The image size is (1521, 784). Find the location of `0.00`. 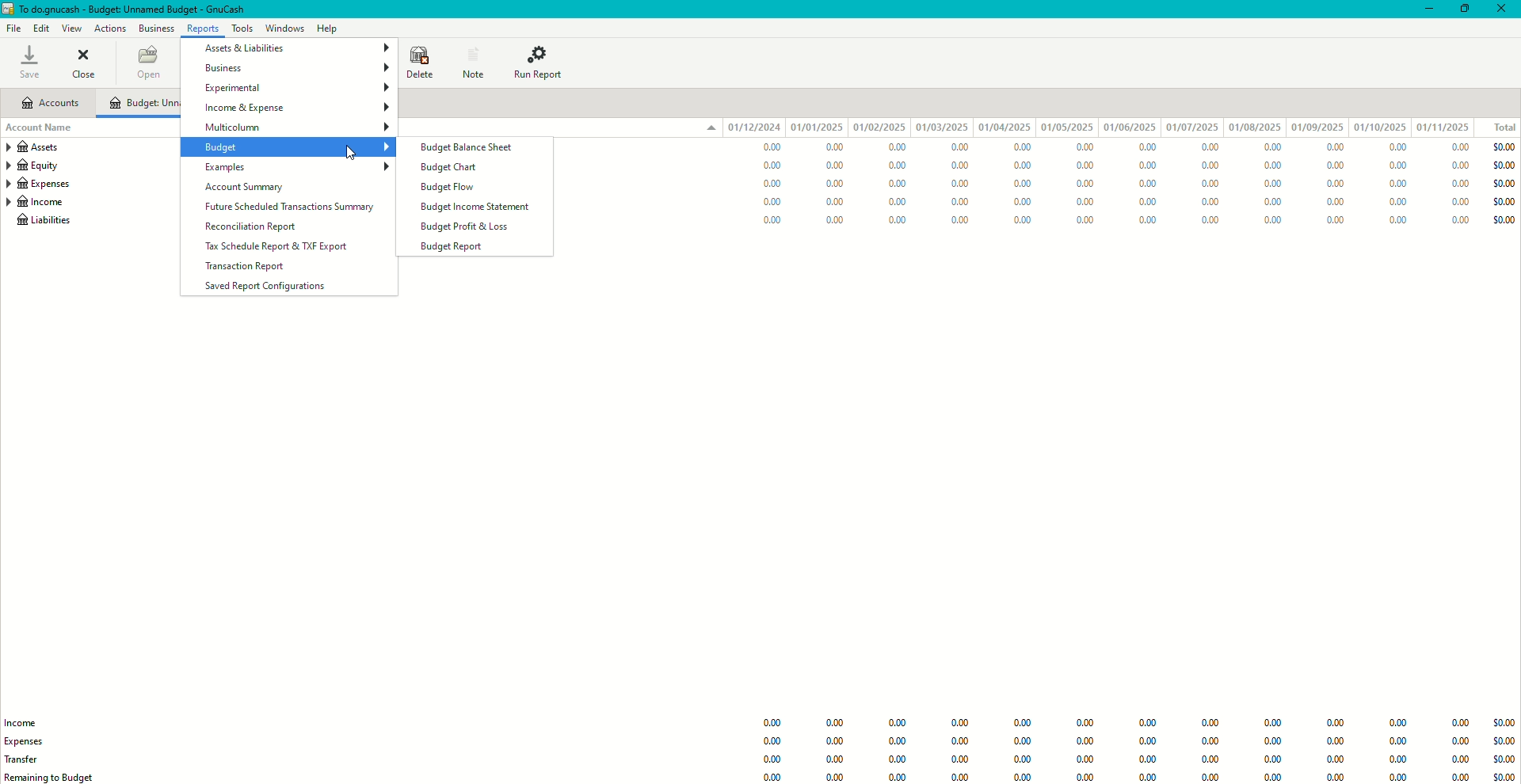

0.00 is located at coordinates (837, 742).